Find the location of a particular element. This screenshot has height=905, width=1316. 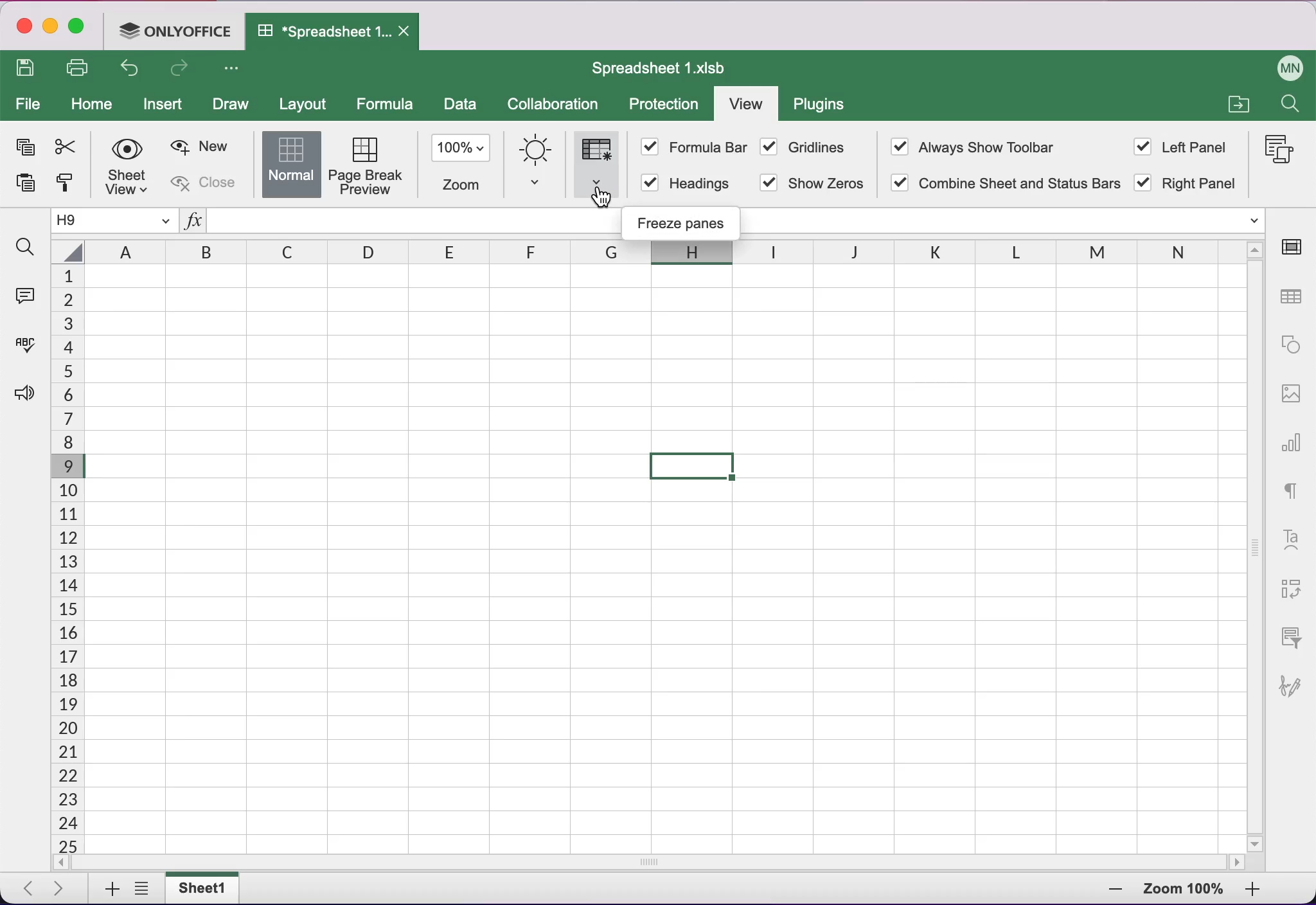

formula bar is located at coordinates (694, 149).